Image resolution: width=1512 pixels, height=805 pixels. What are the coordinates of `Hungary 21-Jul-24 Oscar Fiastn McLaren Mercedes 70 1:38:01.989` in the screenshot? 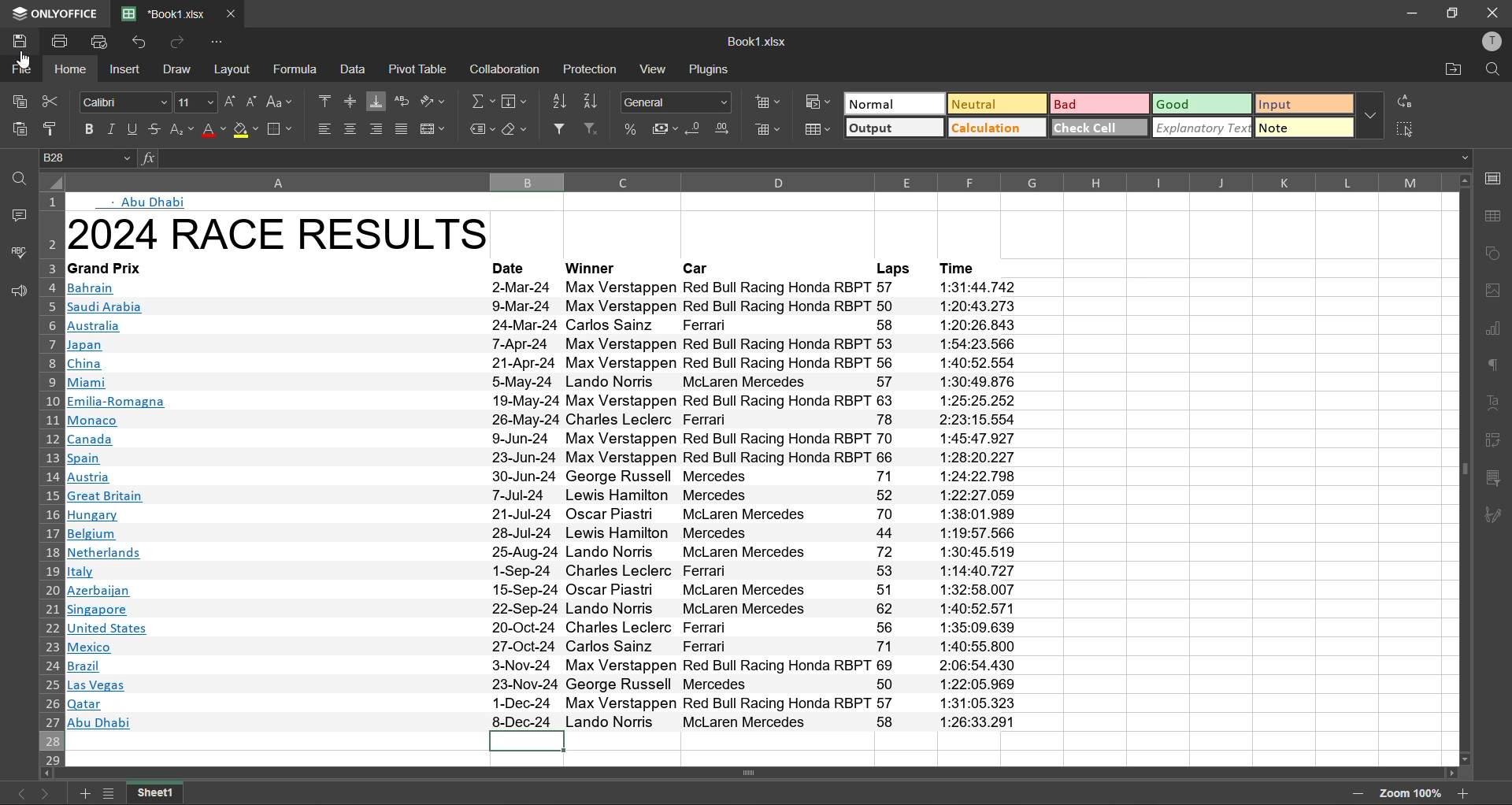 It's located at (545, 514).